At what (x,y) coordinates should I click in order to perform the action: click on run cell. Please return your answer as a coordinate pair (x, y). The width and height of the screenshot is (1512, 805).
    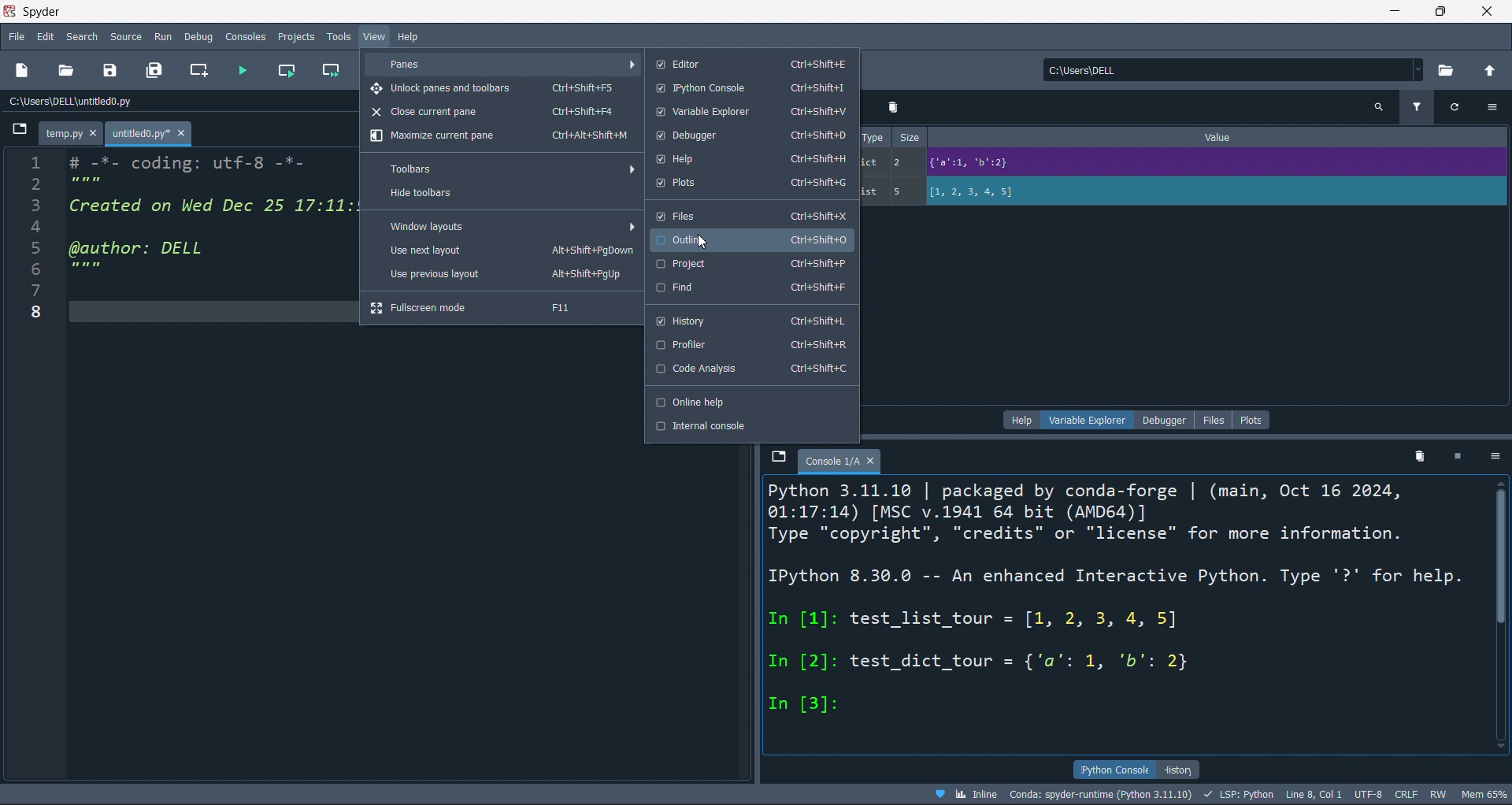
    Looking at the image, I should click on (287, 72).